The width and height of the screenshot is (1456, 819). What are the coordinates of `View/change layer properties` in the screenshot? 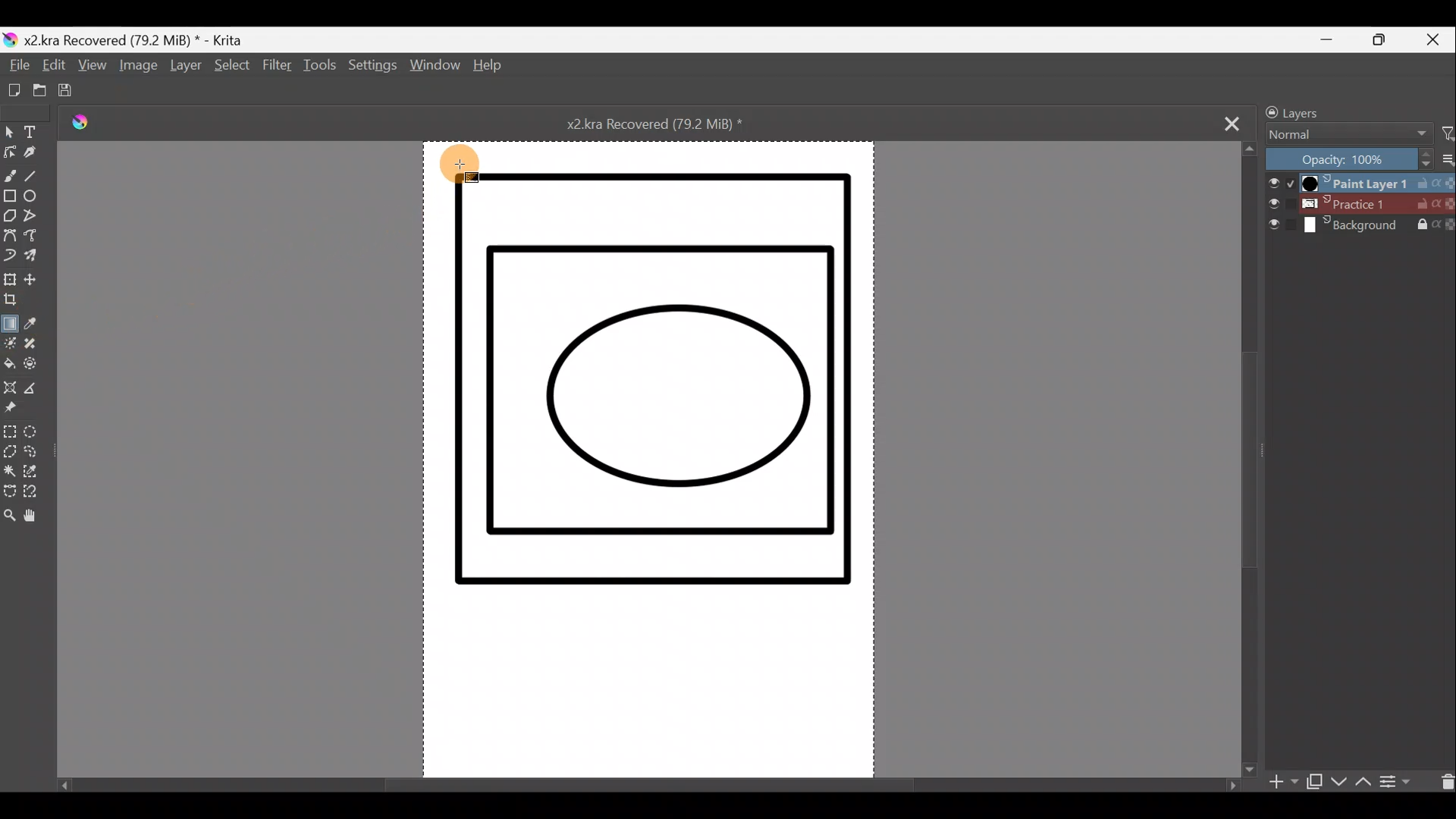 It's located at (1402, 780).